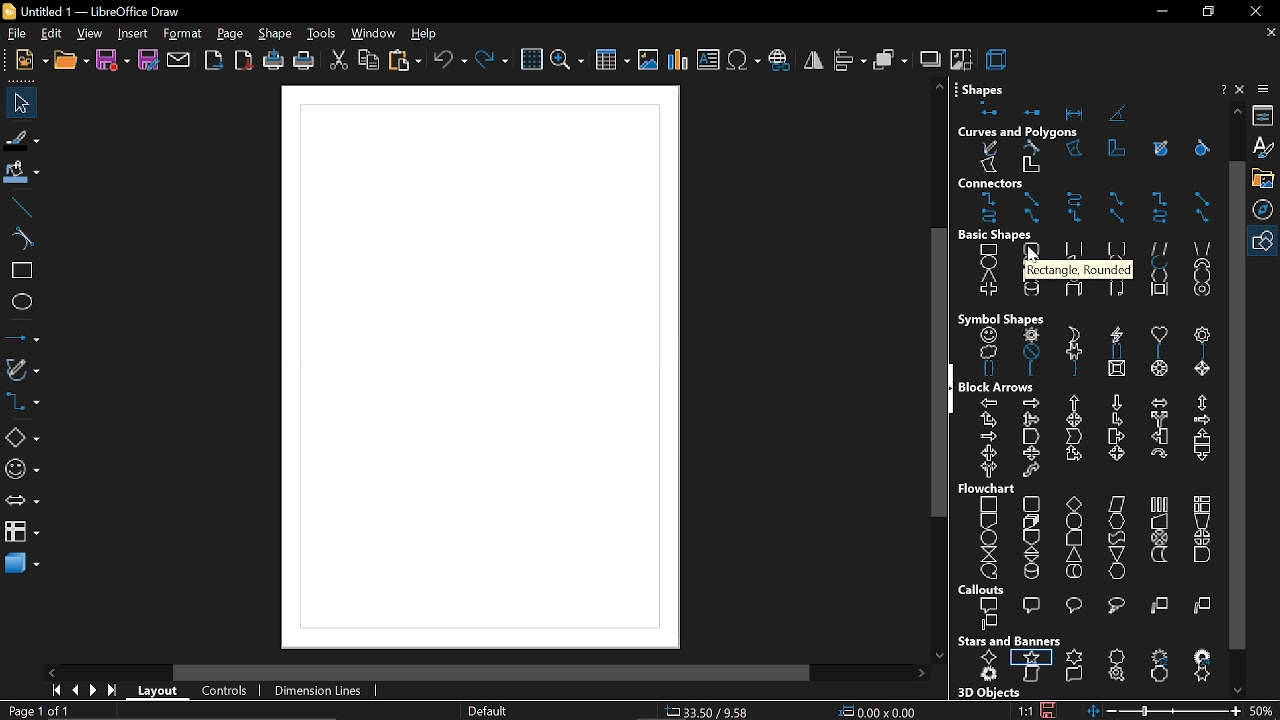 The width and height of the screenshot is (1280, 720). Describe the element at coordinates (709, 711) in the screenshot. I see `co-ordinate` at that location.